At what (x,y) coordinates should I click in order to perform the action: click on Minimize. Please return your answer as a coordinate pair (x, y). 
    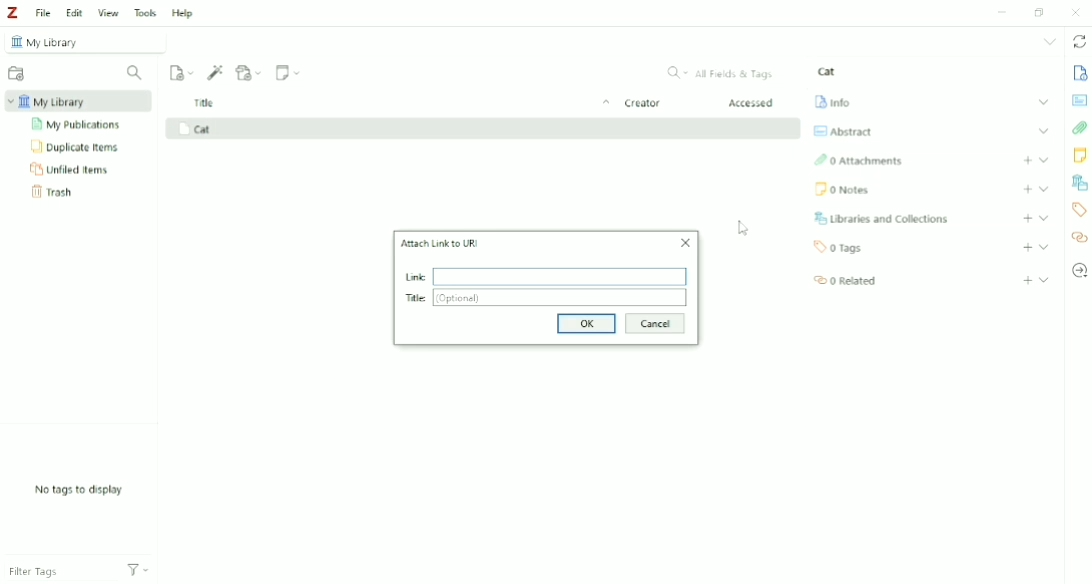
    Looking at the image, I should click on (999, 13).